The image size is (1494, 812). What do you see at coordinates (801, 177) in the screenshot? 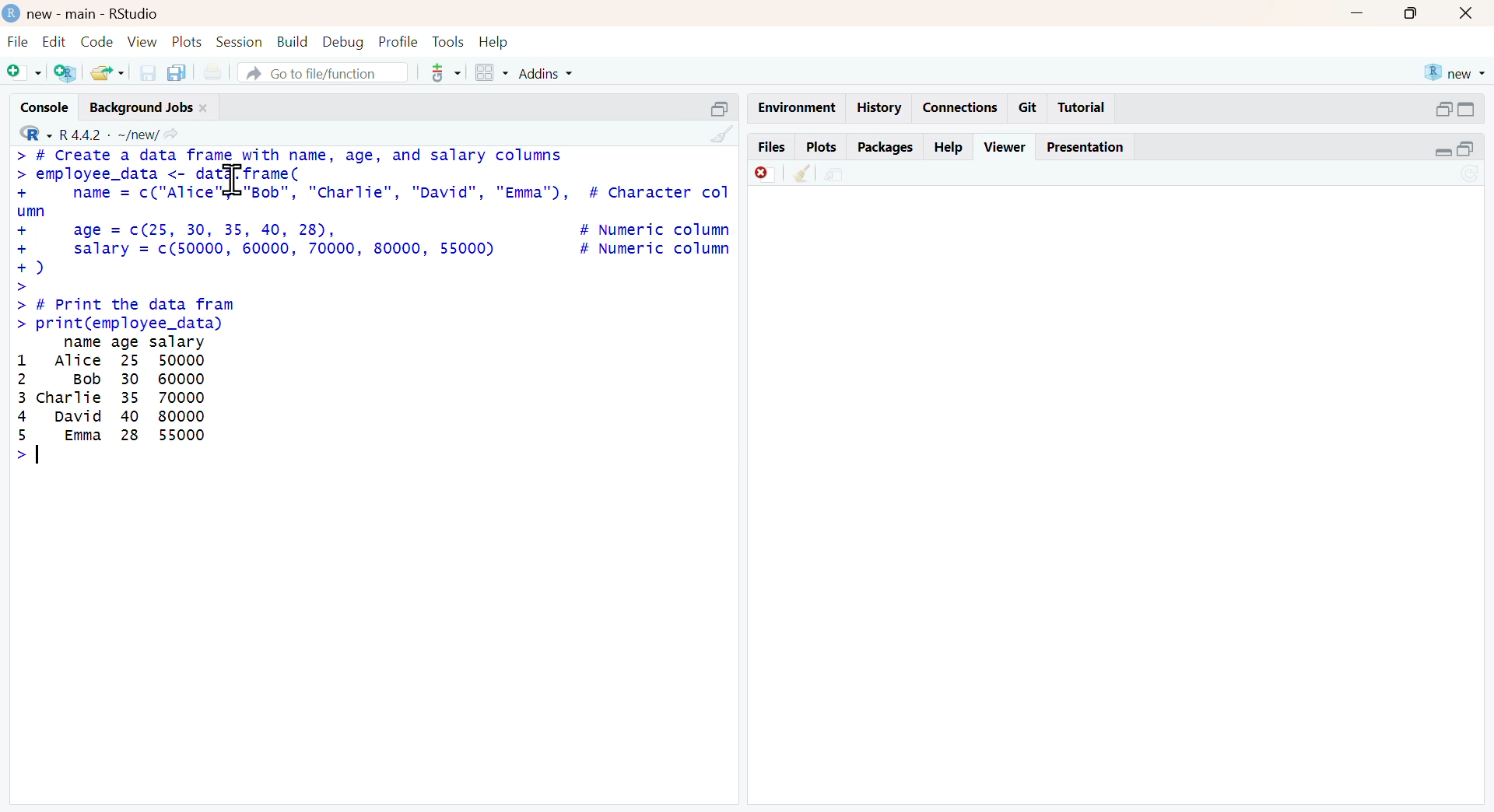
I see `Remove all viewer item` at bounding box center [801, 177].